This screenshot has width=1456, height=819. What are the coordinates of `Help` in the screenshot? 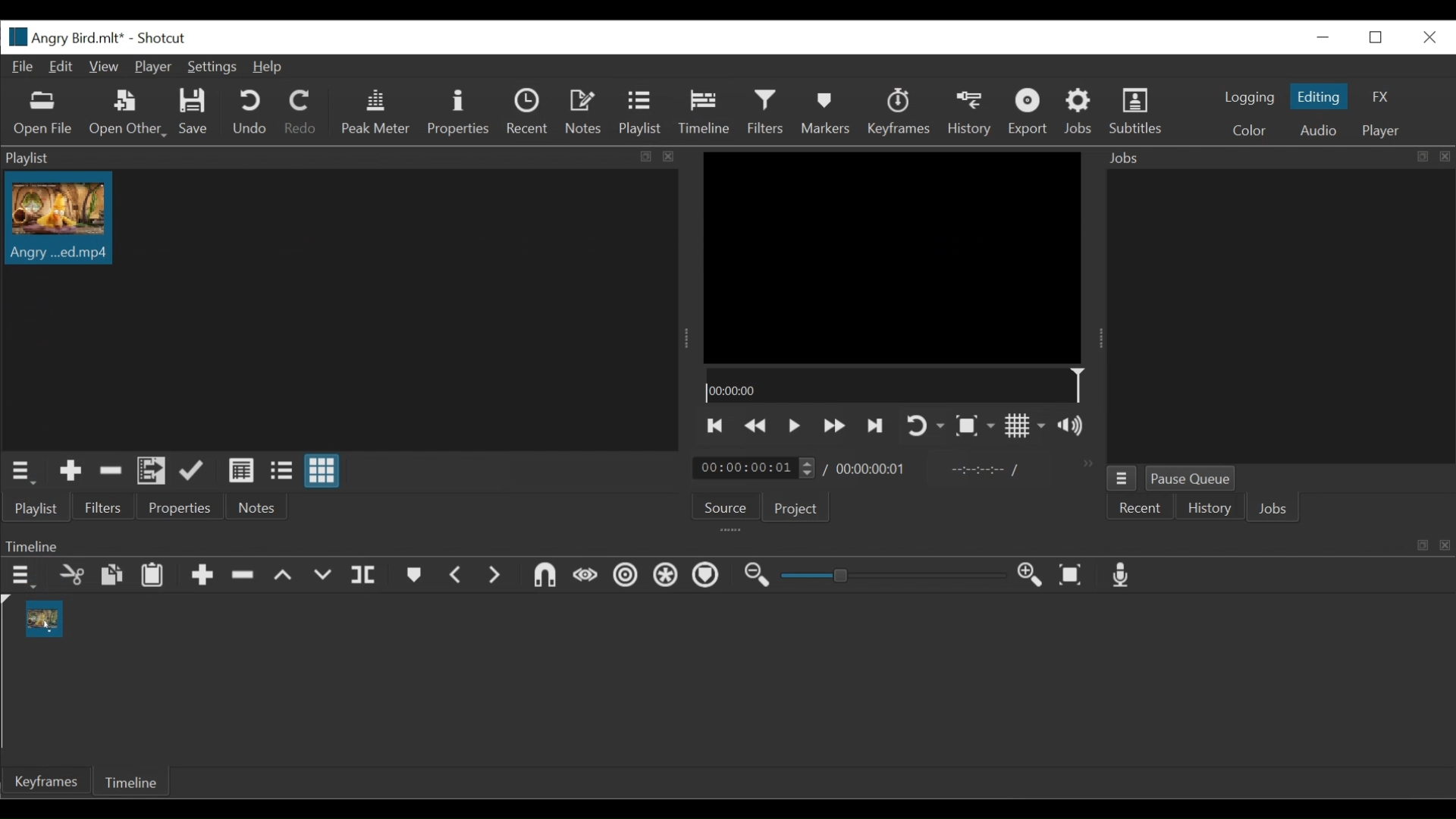 It's located at (269, 67).